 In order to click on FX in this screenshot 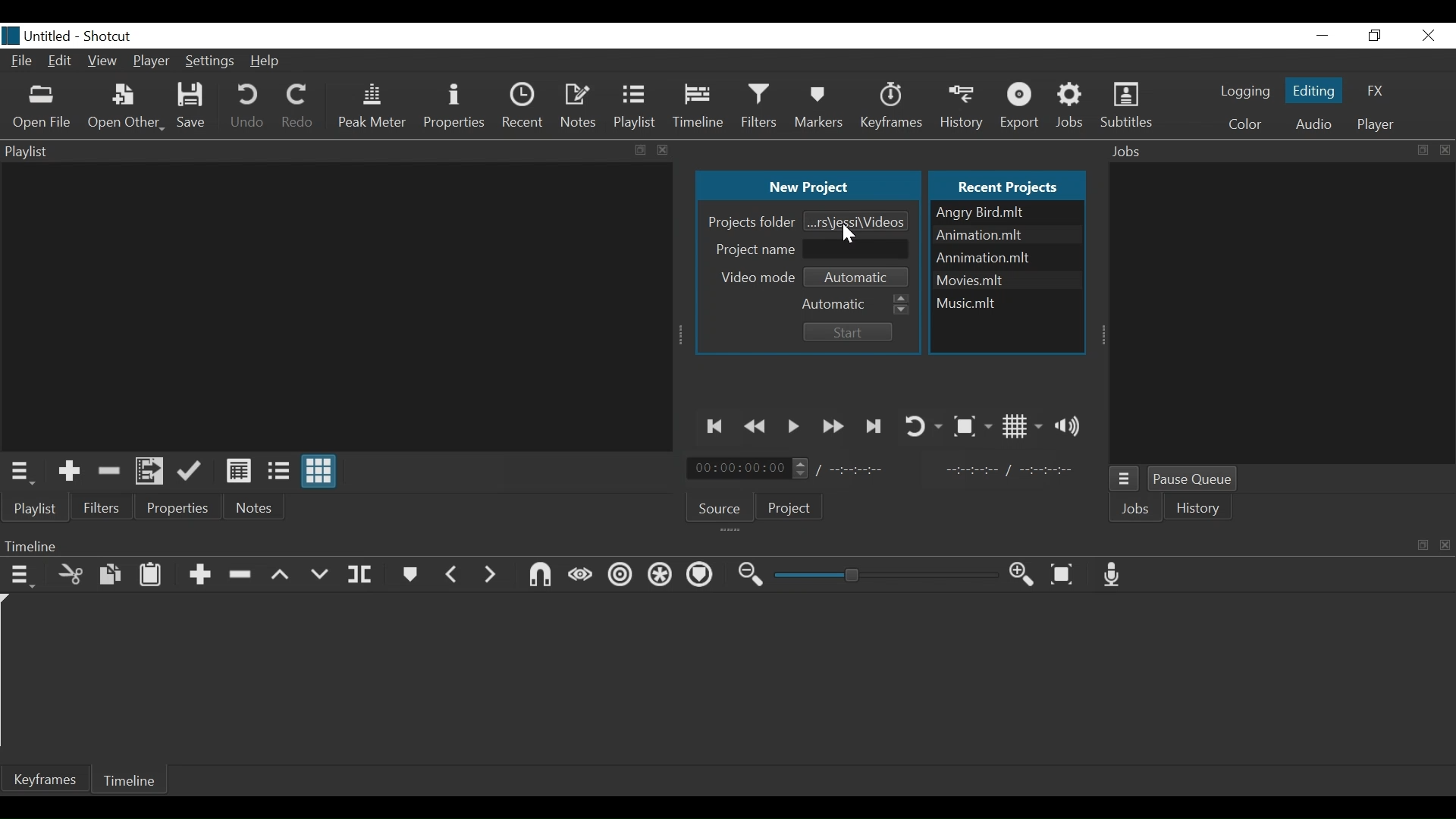, I will do `click(1376, 92)`.